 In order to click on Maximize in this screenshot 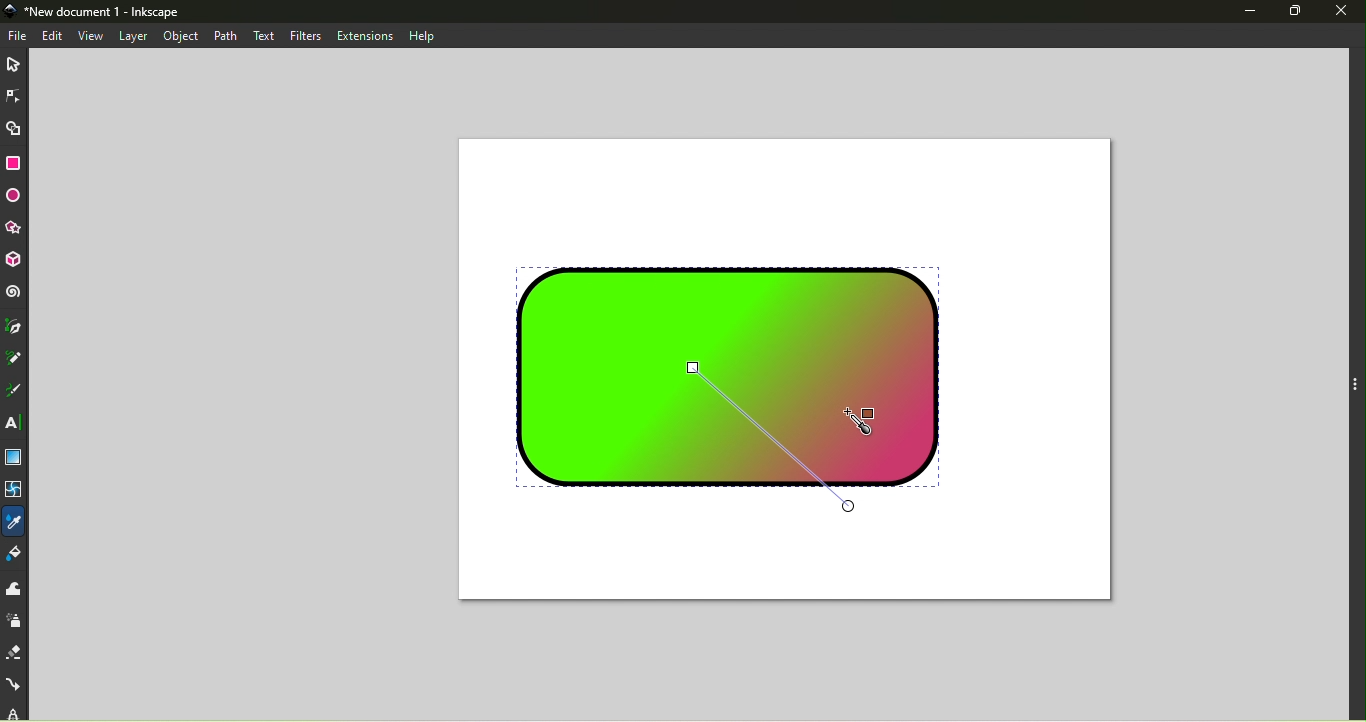, I will do `click(1301, 11)`.